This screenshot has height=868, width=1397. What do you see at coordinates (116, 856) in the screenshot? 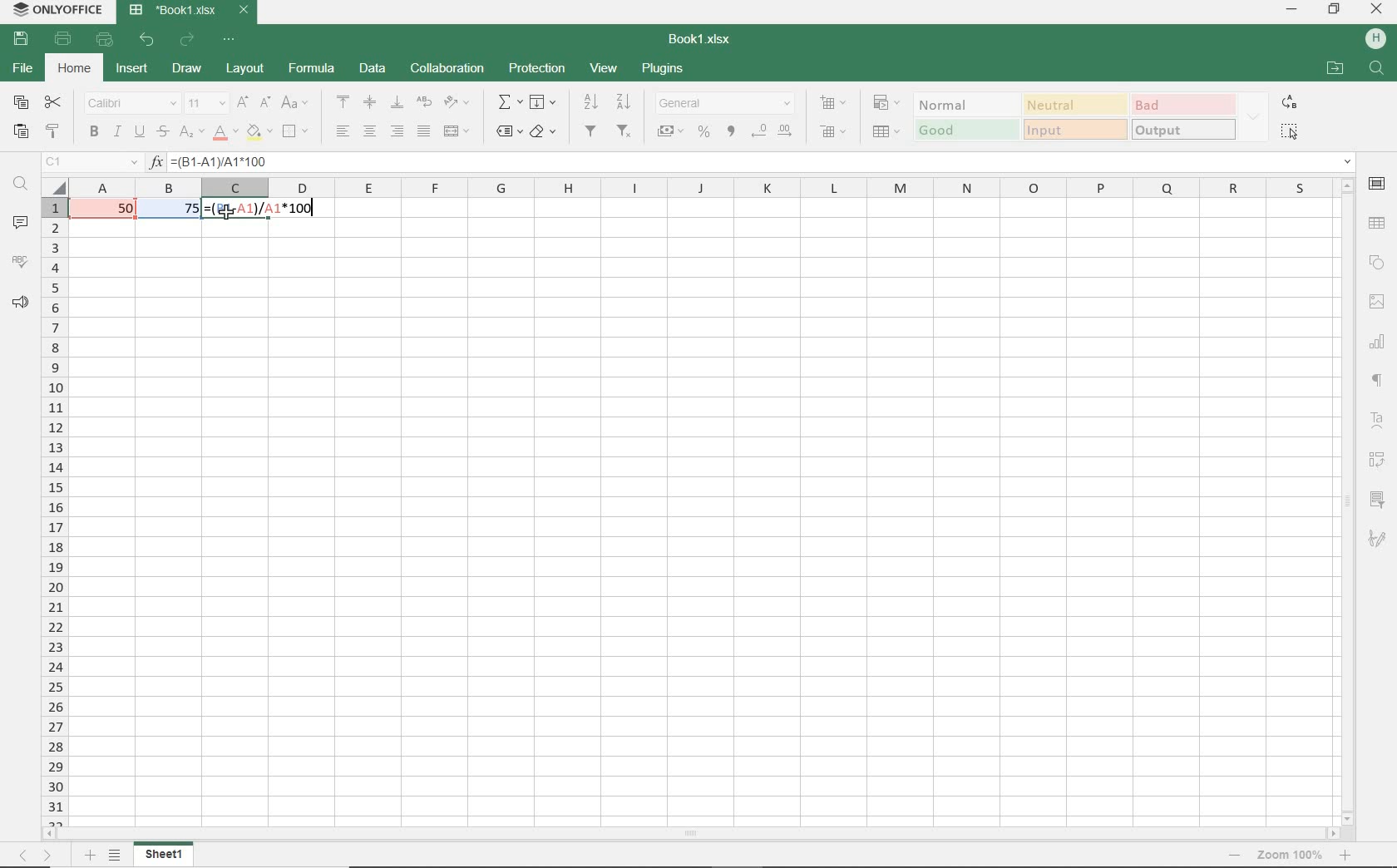
I see `list of sheets` at bounding box center [116, 856].